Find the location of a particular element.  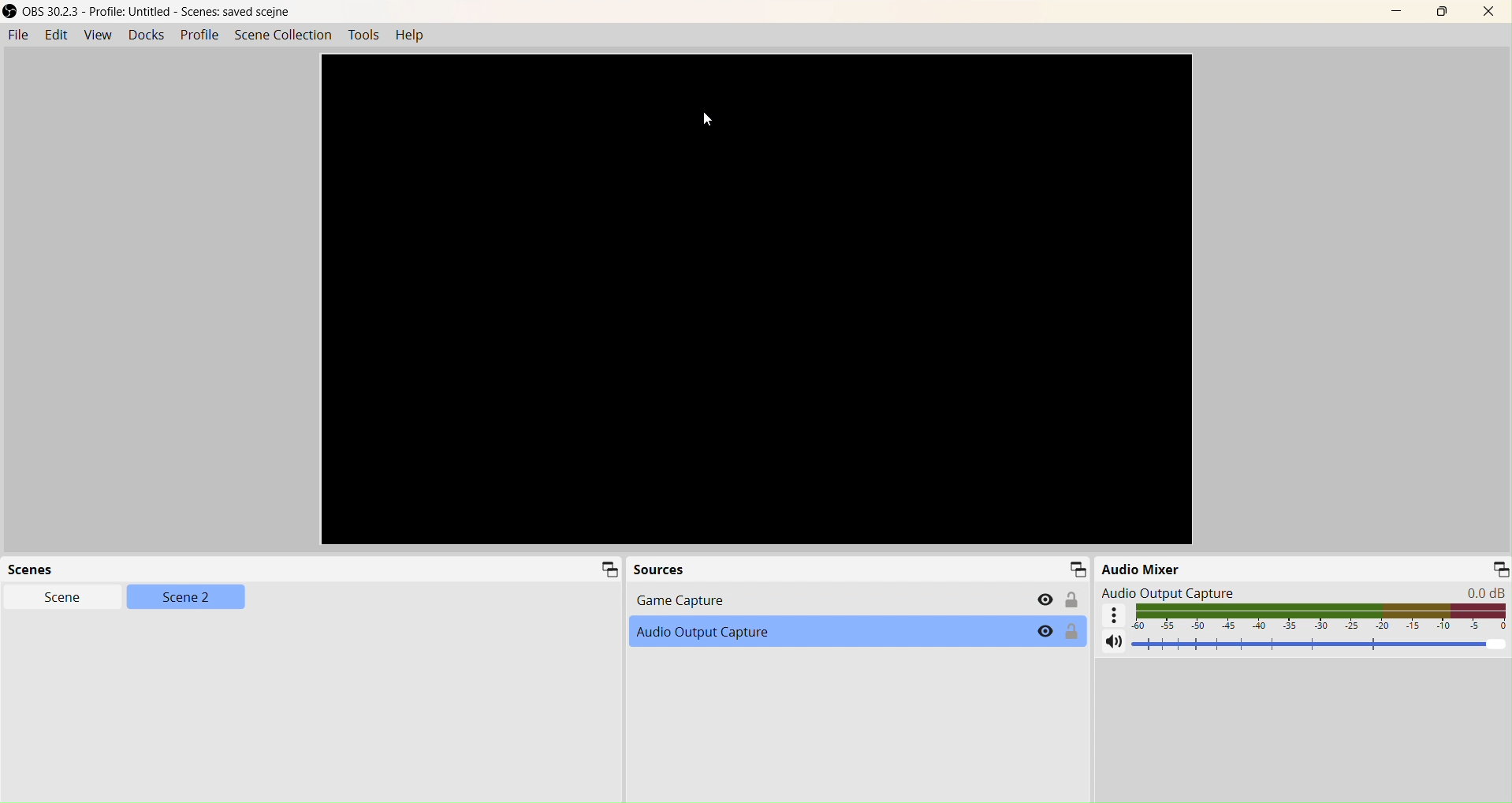

help is located at coordinates (411, 37).